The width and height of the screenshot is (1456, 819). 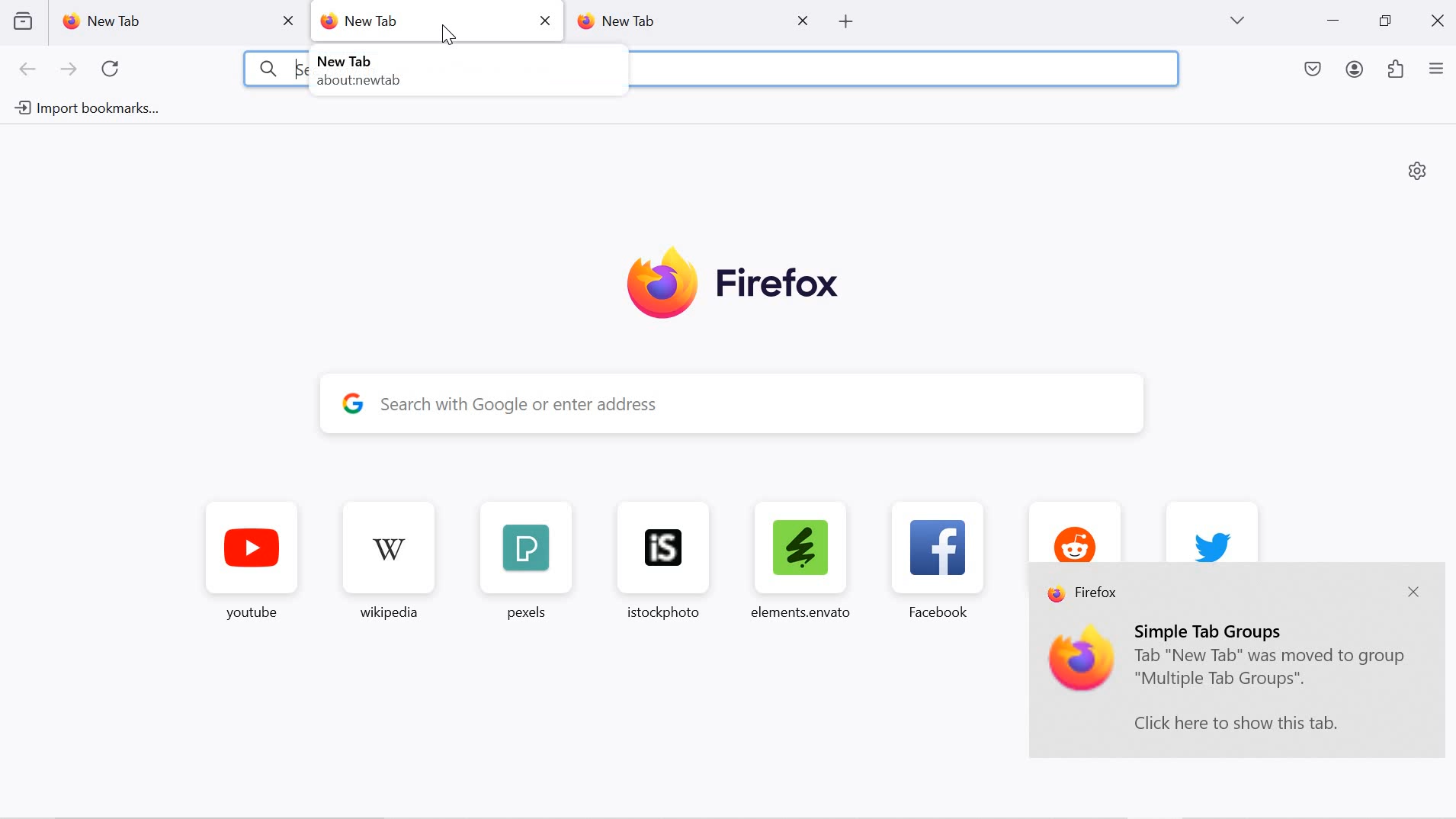 What do you see at coordinates (1384, 21) in the screenshot?
I see `restore down` at bounding box center [1384, 21].